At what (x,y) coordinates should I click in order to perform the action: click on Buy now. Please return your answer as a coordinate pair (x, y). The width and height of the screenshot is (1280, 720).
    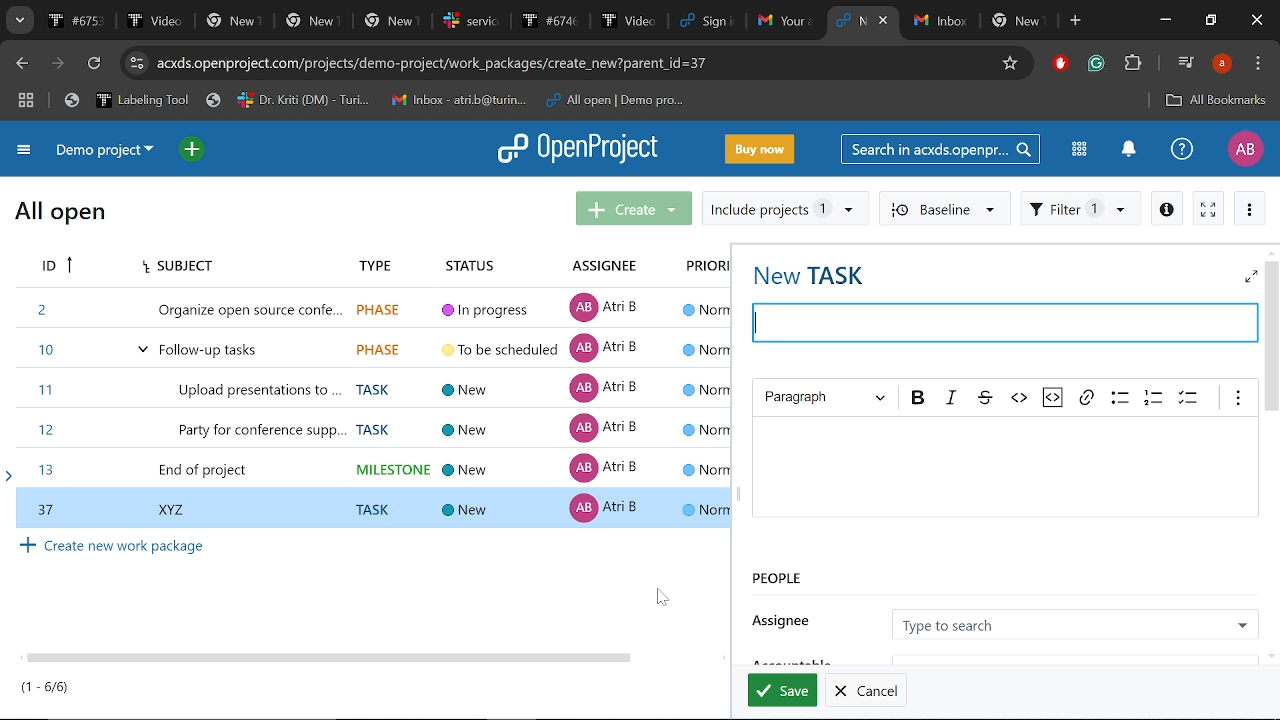
    Looking at the image, I should click on (760, 148).